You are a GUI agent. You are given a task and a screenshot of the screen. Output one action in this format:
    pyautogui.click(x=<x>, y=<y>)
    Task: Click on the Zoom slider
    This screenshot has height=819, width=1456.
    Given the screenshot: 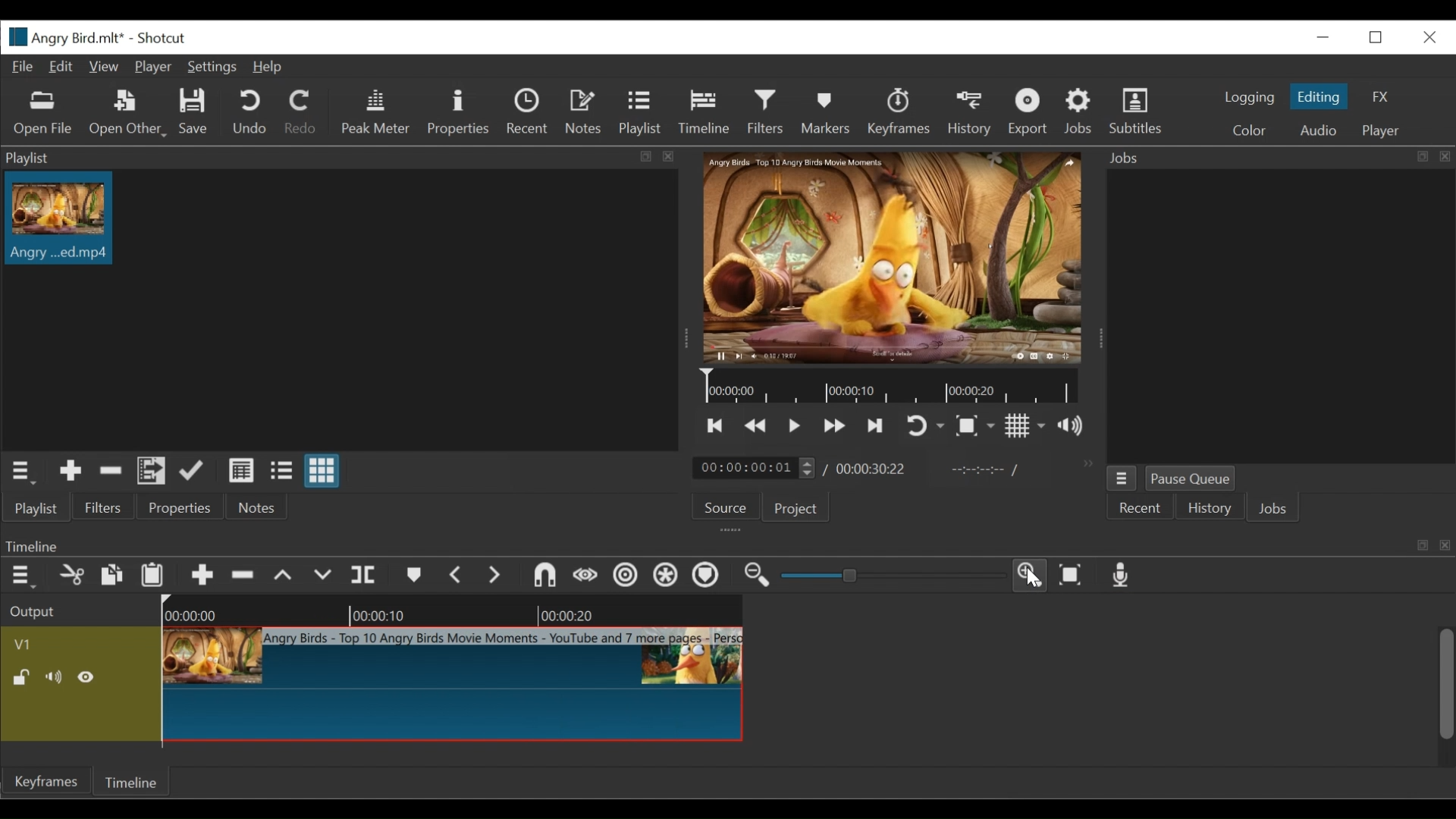 What is the action you would take?
    pyautogui.click(x=889, y=577)
    